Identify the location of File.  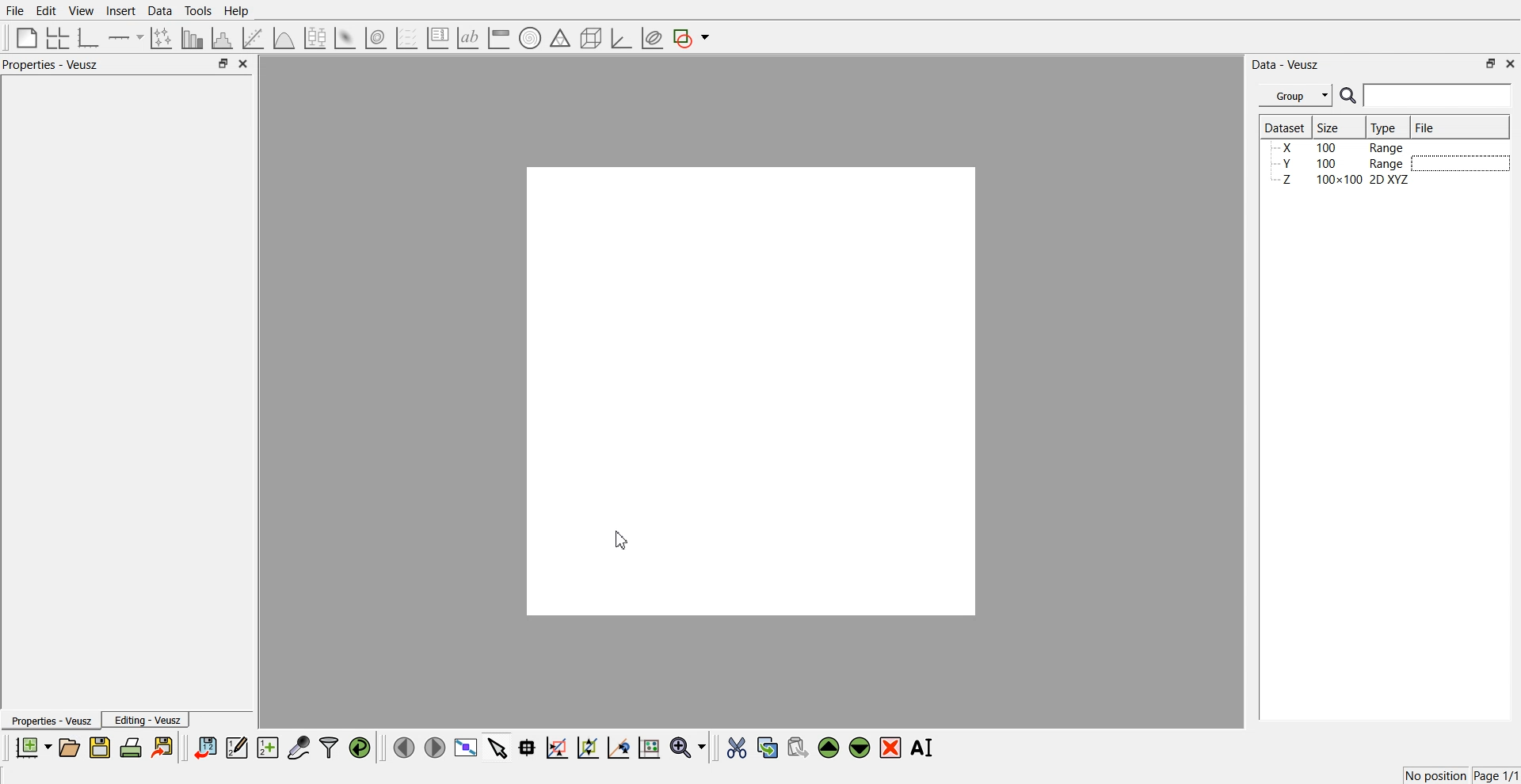
(15, 10).